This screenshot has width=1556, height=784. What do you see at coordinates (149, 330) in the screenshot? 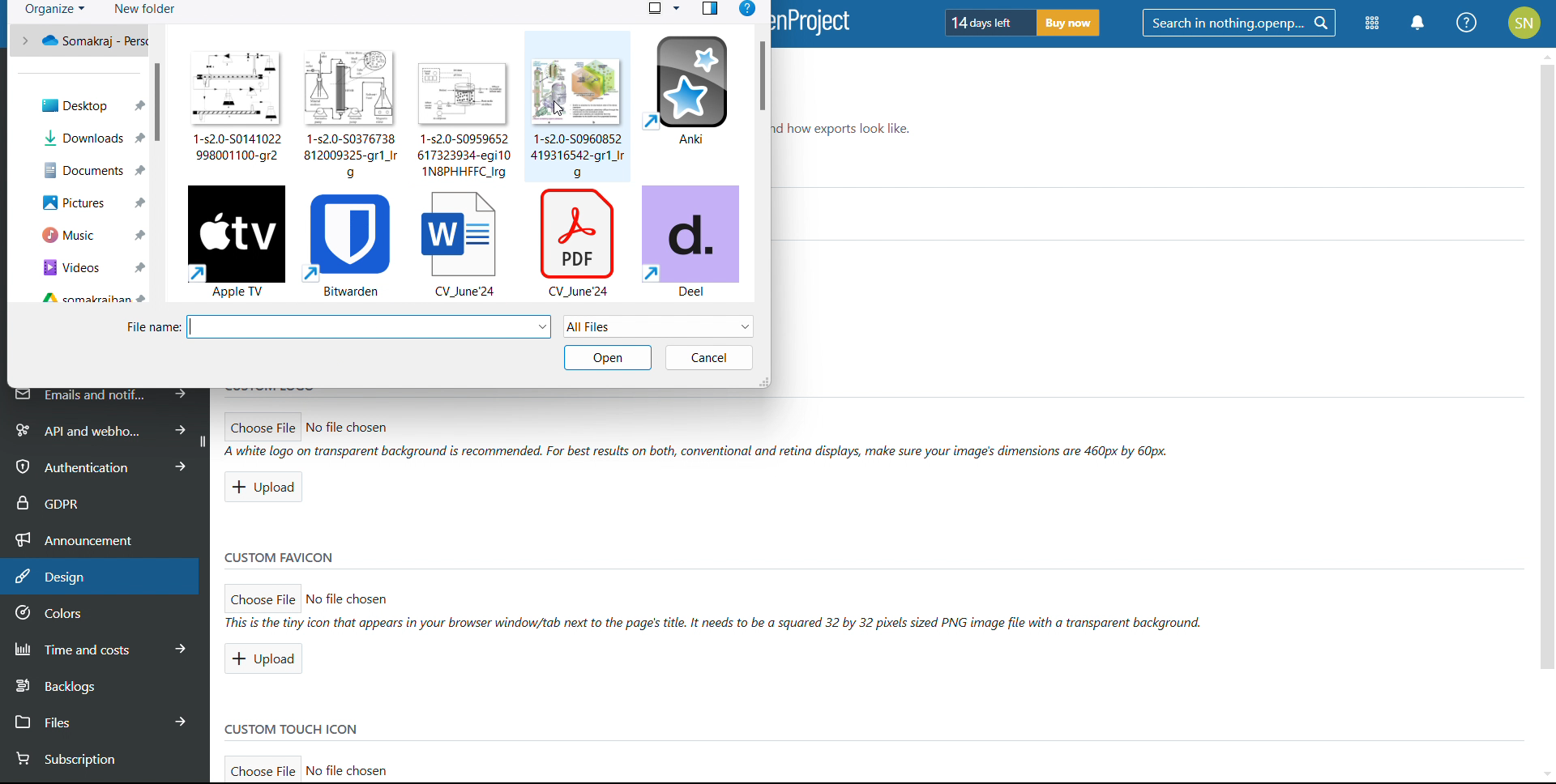
I see `File name:` at bounding box center [149, 330].